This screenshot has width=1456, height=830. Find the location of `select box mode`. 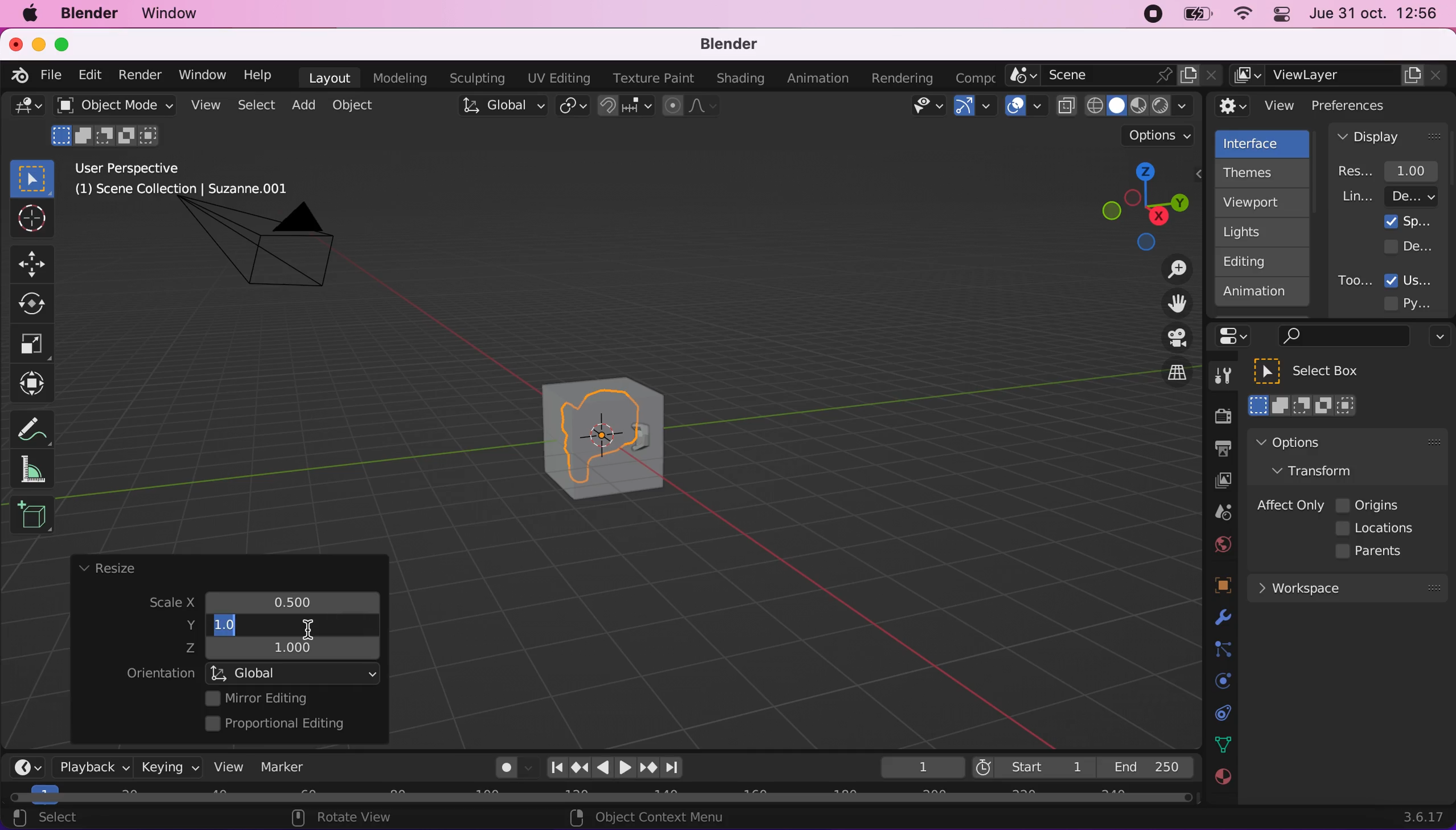

select box mode is located at coordinates (1303, 405).